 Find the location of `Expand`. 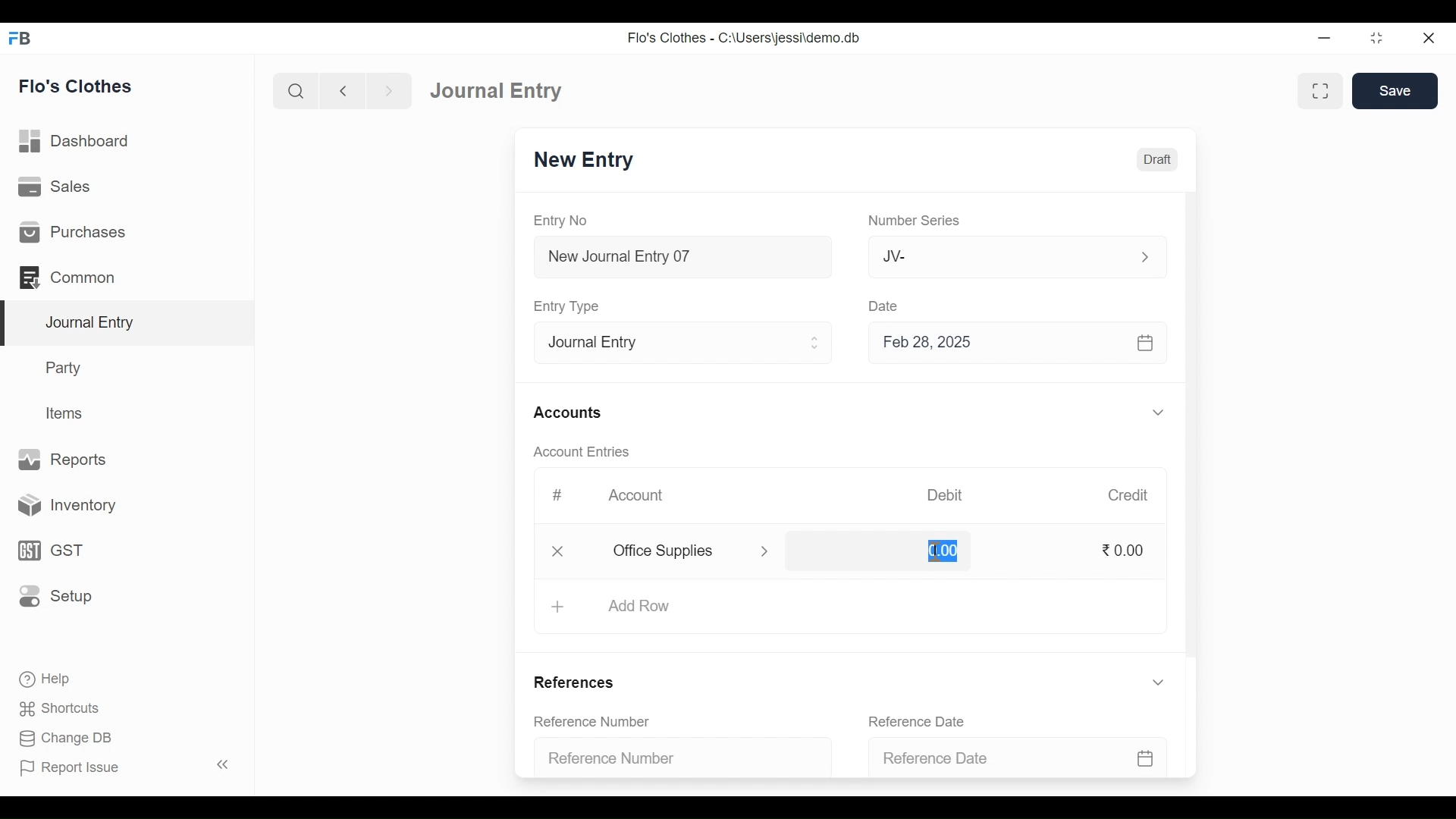

Expand is located at coordinates (1158, 412).